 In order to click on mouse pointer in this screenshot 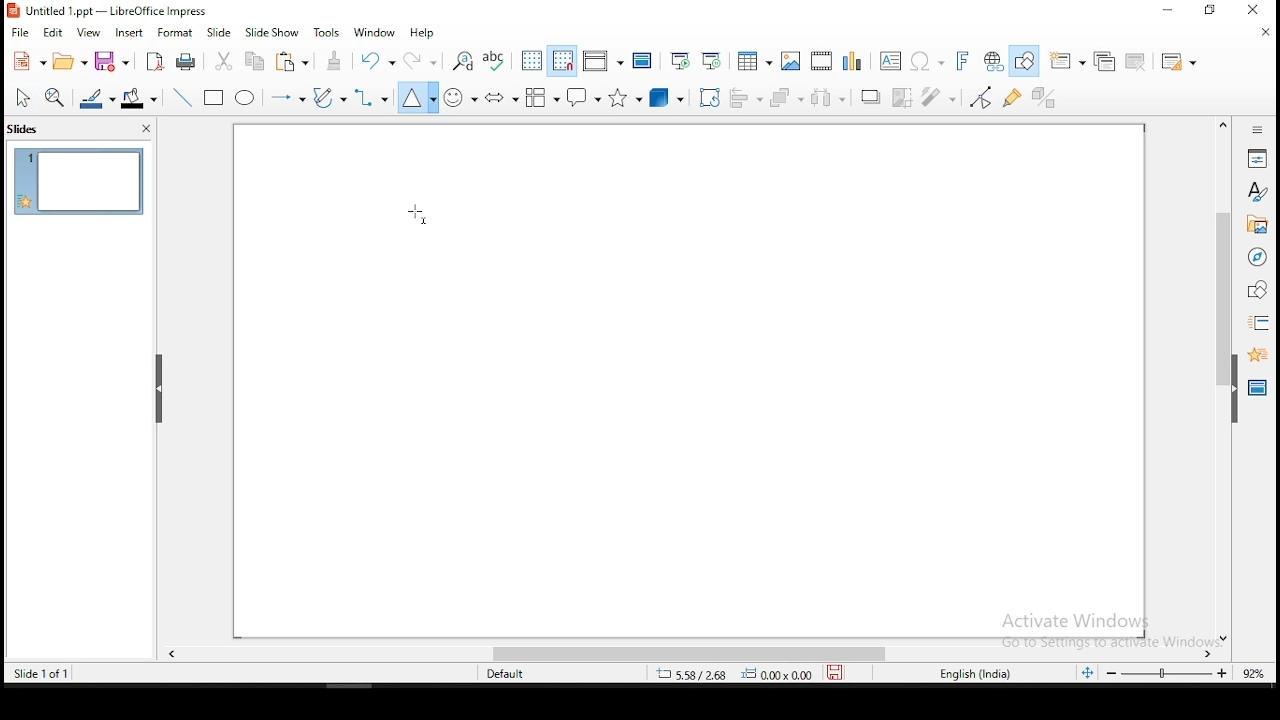, I will do `click(416, 214)`.